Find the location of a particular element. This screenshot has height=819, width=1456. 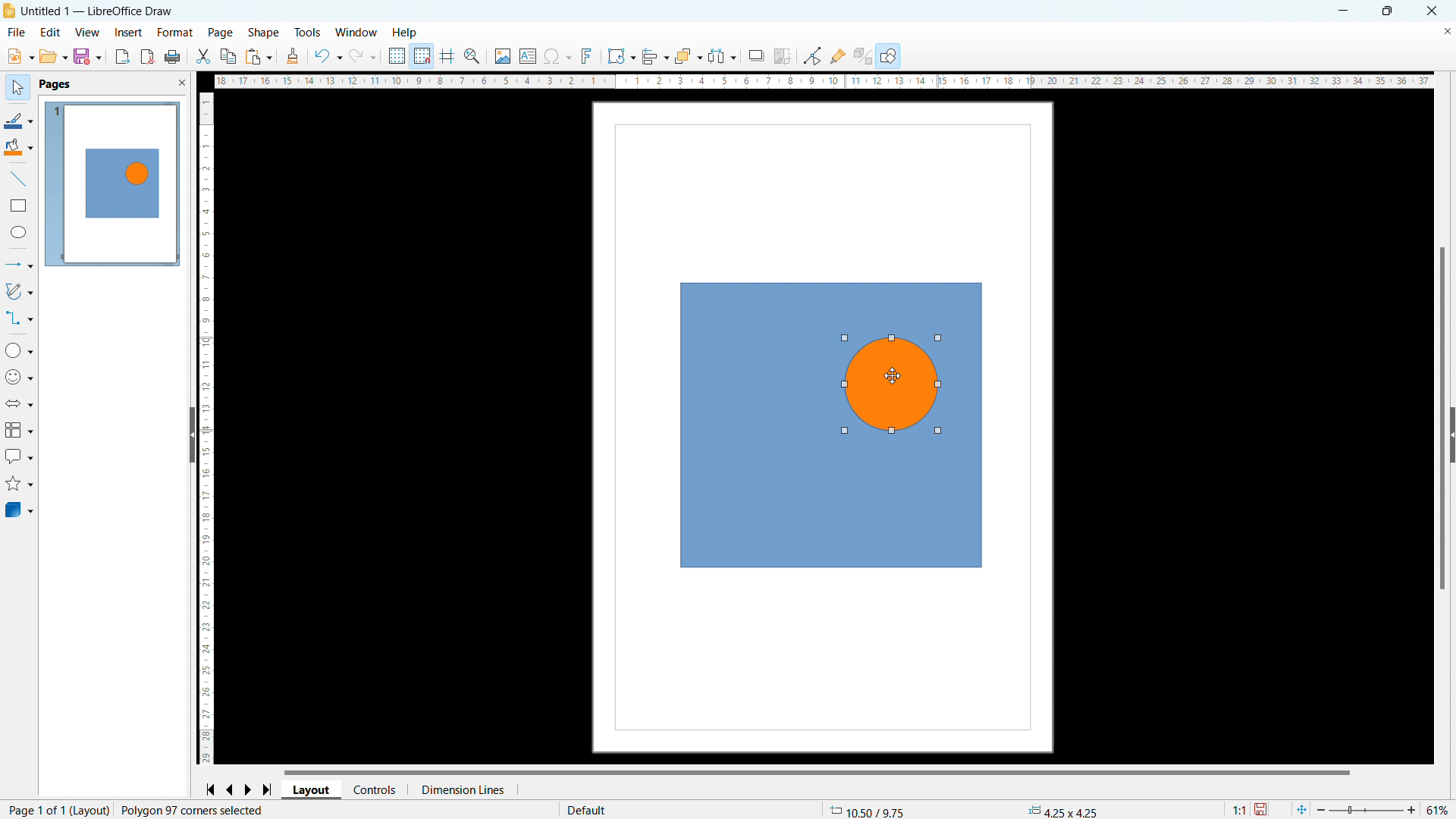

cut is located at coordinates (202, 57).